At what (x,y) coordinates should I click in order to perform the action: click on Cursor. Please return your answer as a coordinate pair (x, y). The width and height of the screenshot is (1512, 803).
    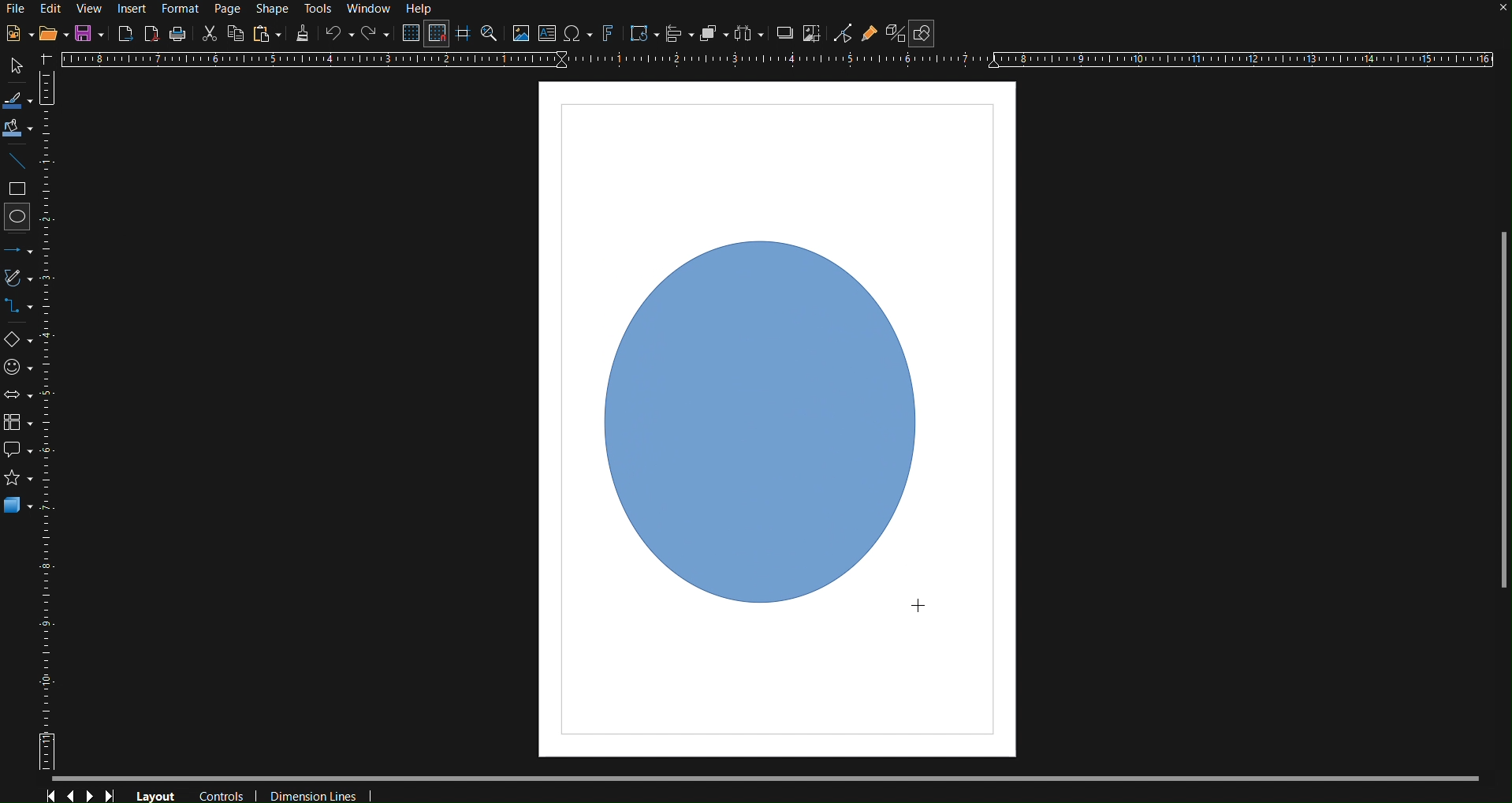
    Looking at the image, I should click on (918, 614).